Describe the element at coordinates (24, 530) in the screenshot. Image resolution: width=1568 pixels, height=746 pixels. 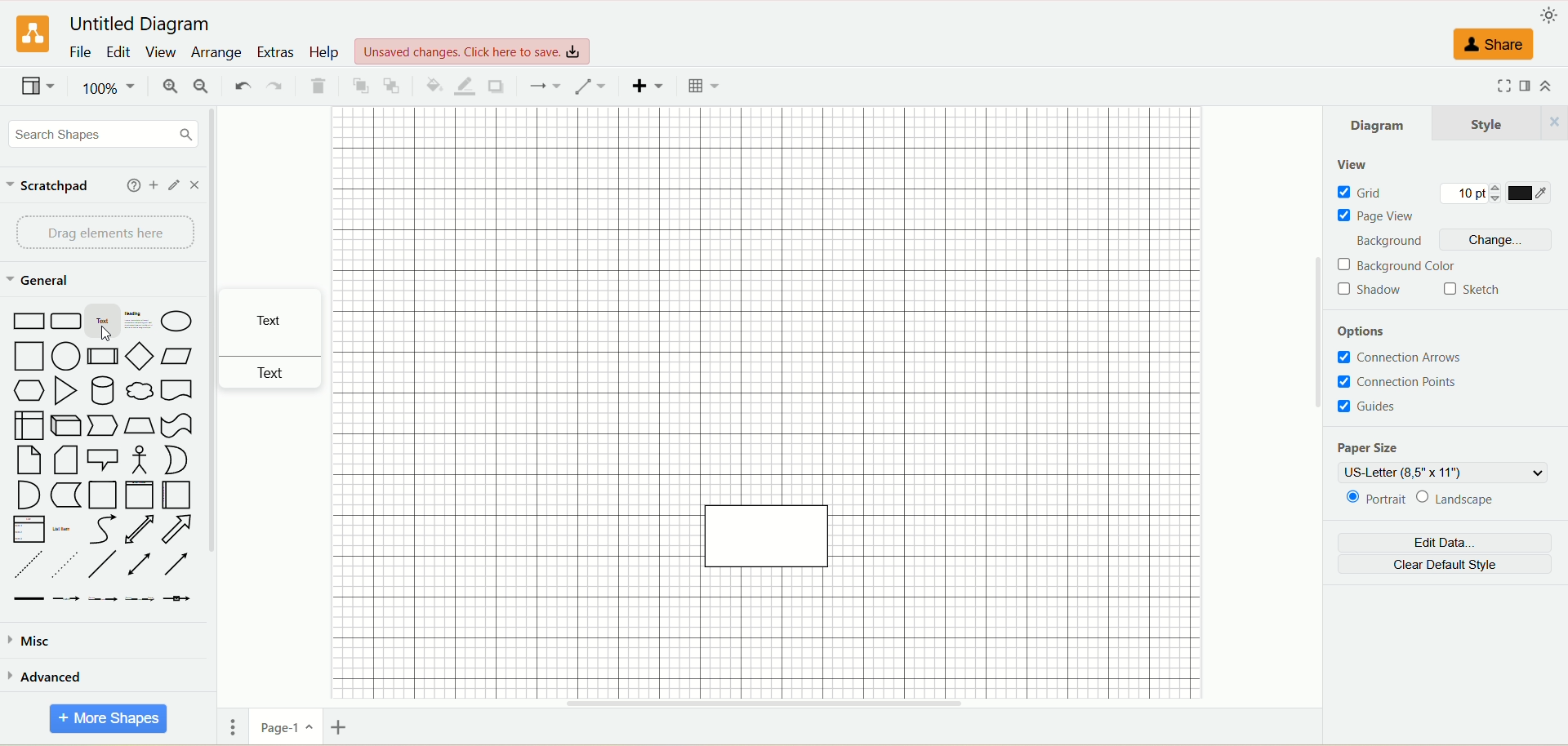
I see `list` at that location.